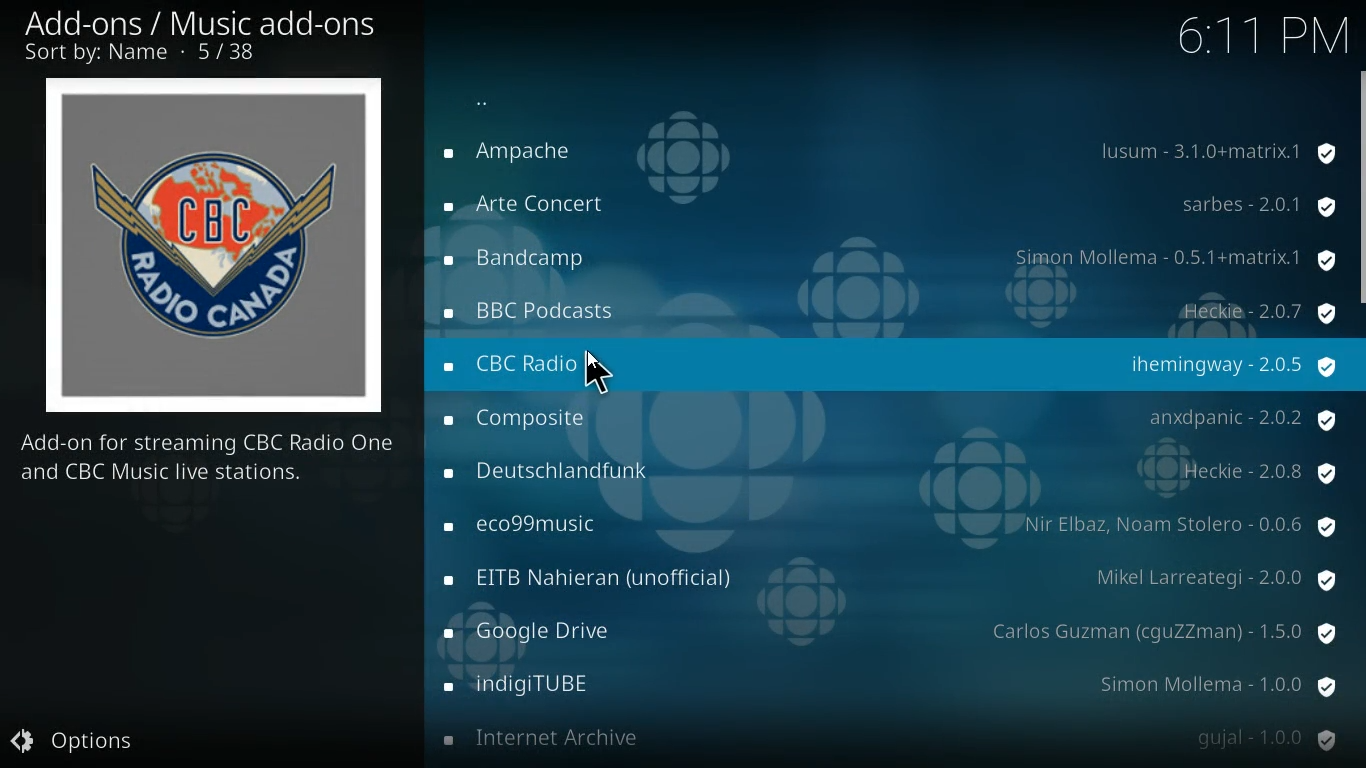 Image resolution: width=1366 pixels, height=768 pixels. I want to click on protection, so click(1254, 739).